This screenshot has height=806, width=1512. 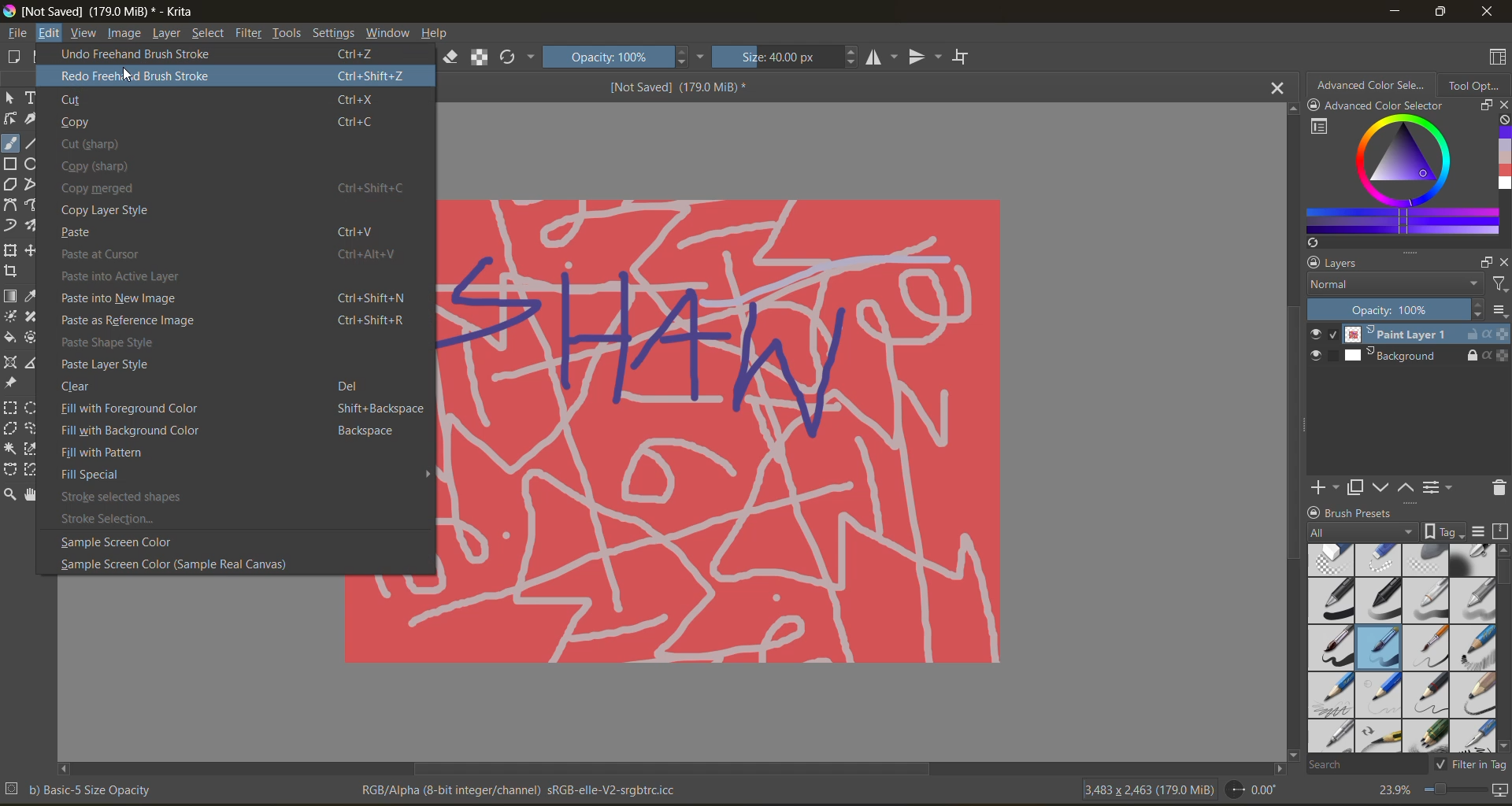 What do you see at coordinates (13, 384) in the screenshot?
I see `reference image tool` at bounding box center [13, 384].